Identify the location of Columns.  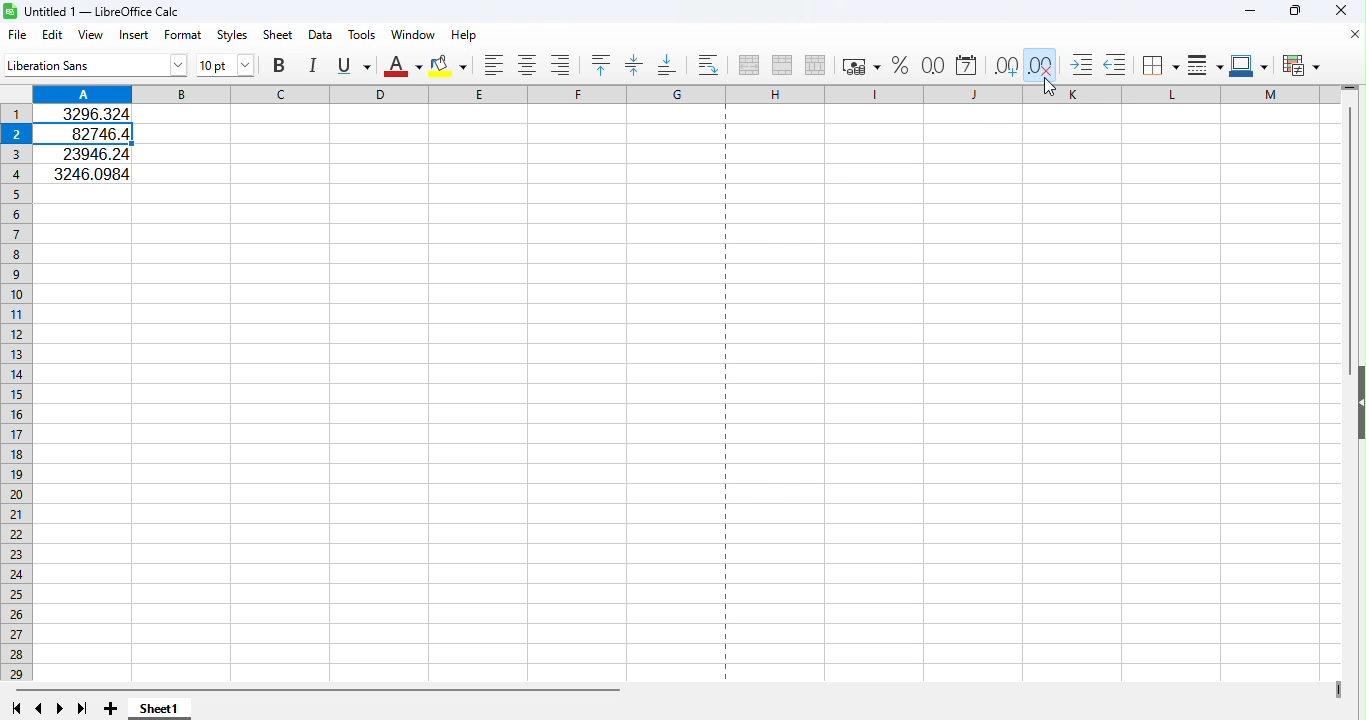
(507, 94).